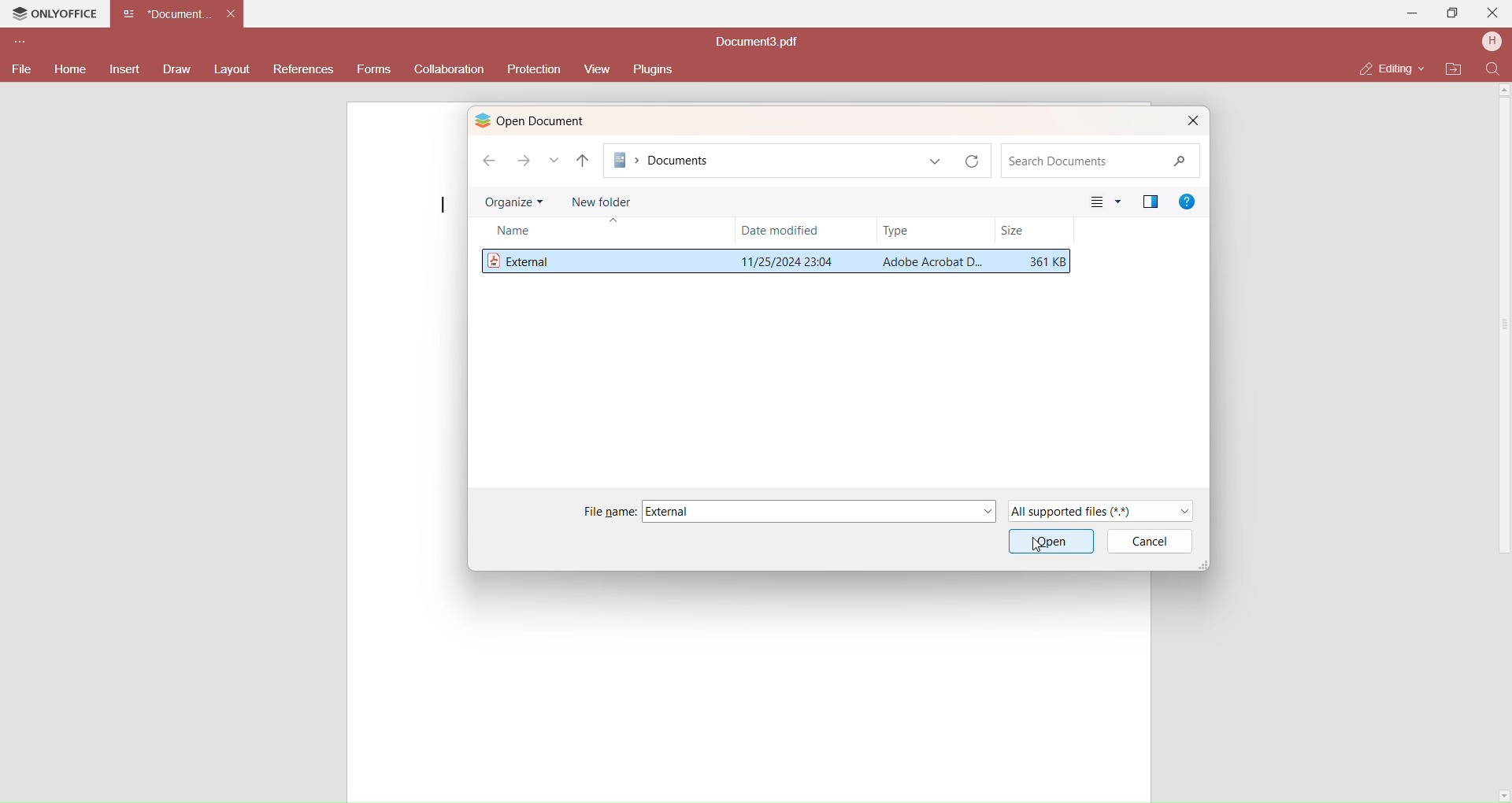  What do you see at coordinates (1191, 120) in the screenshot?
I see `Close Dialog Box` at bounding box center [1191, 120].